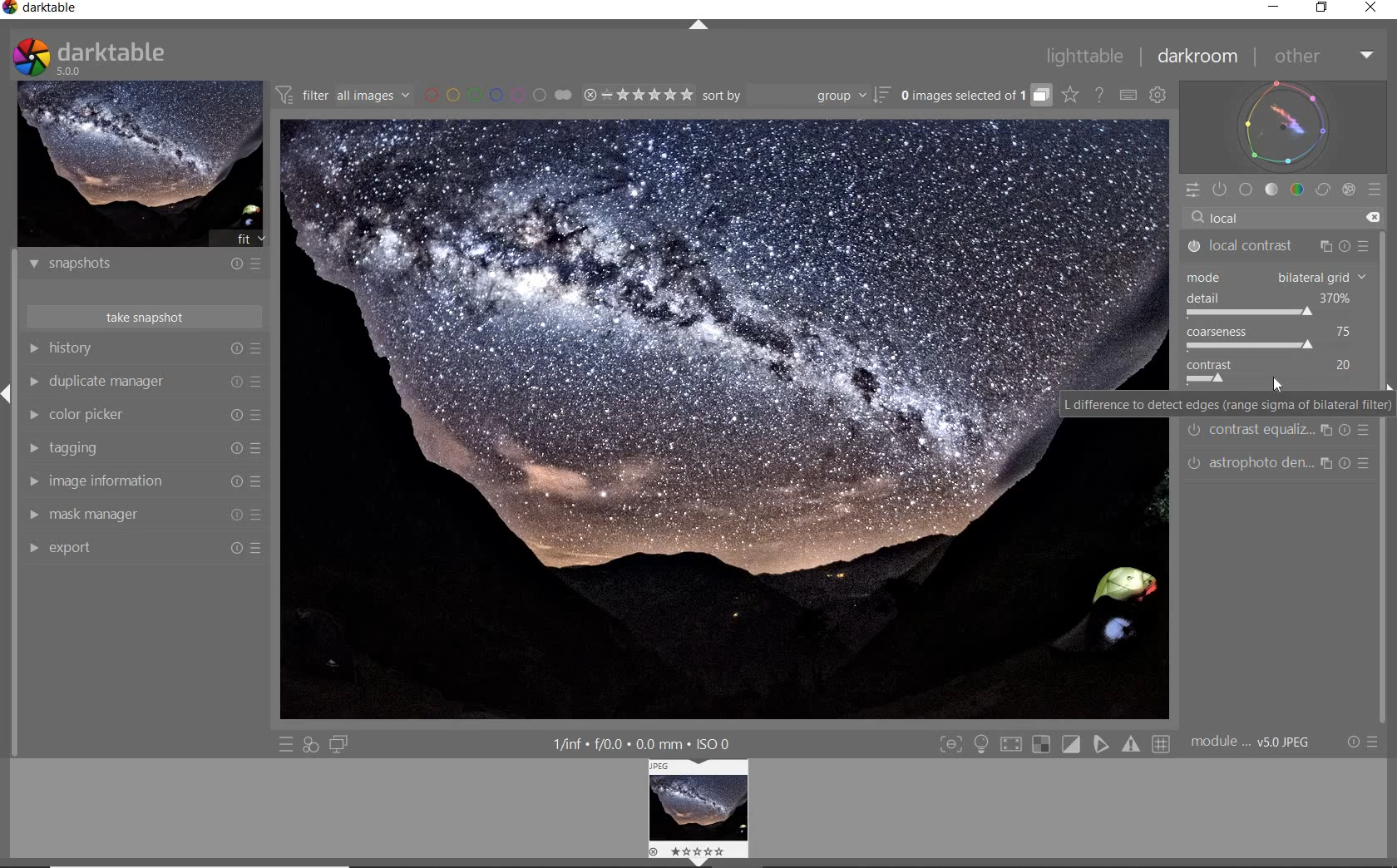 The width and height of the screenshot is (1397, 868). Describe the element at coordinates (1088, 57) in the screenshot. I see `LIGHTTABLE` at that location.